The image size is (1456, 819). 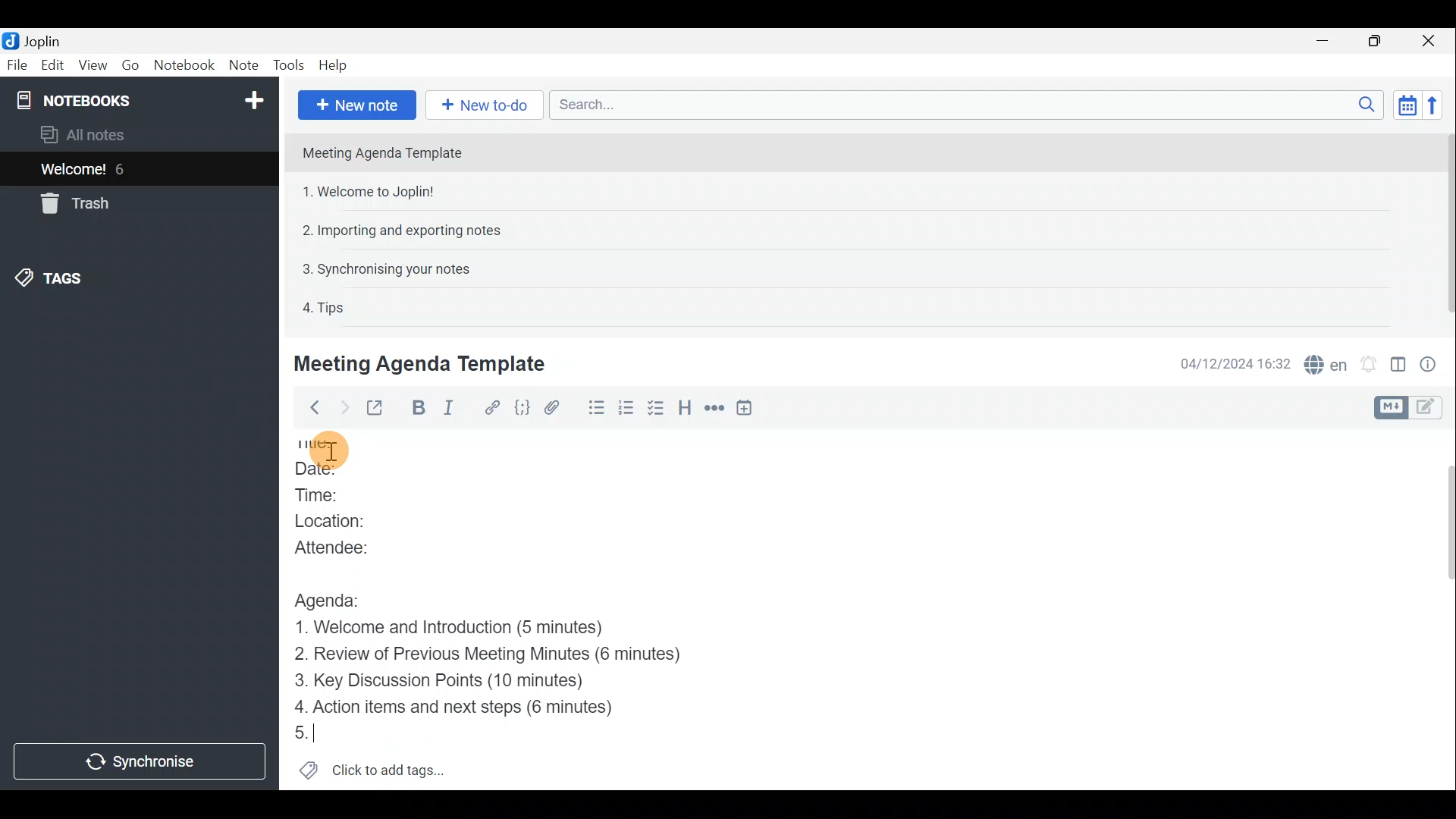 I want to click on Checkbox, so click(x=654, y=409).